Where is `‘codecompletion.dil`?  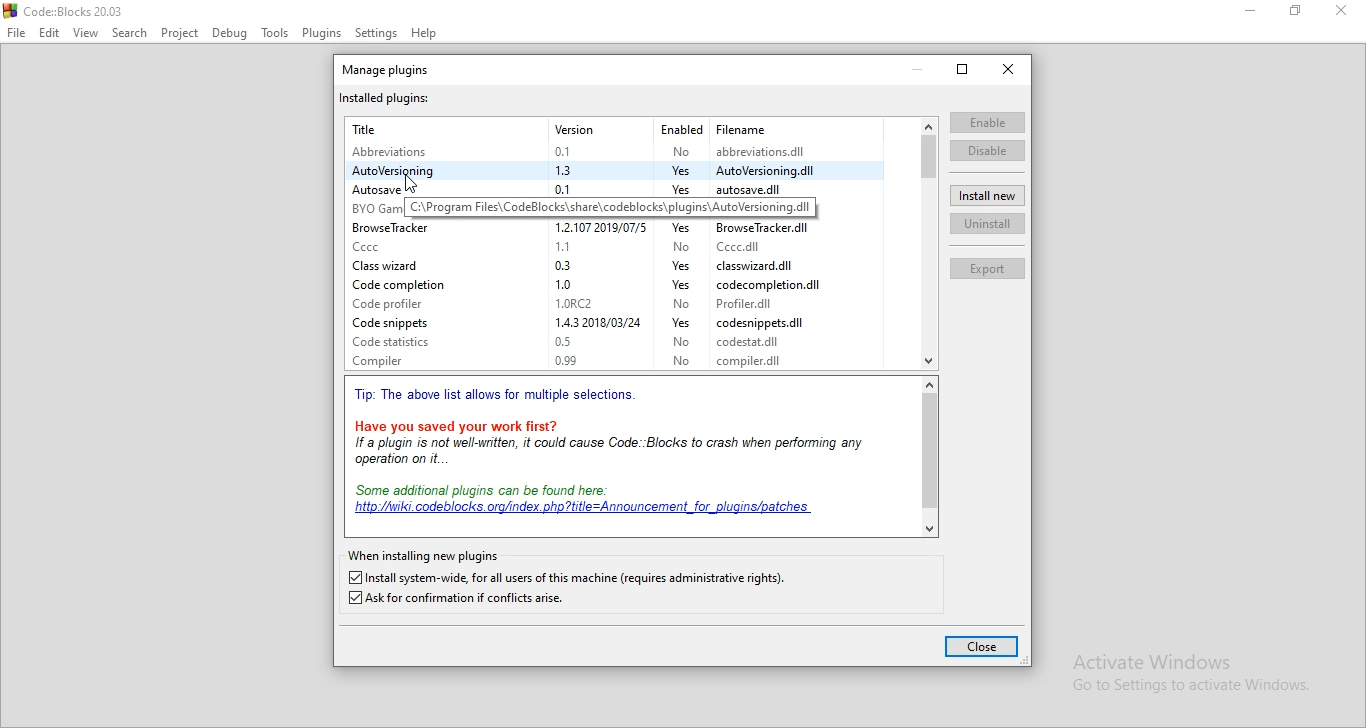
‘codecompletion.dil is located at coordinates (764, 285).